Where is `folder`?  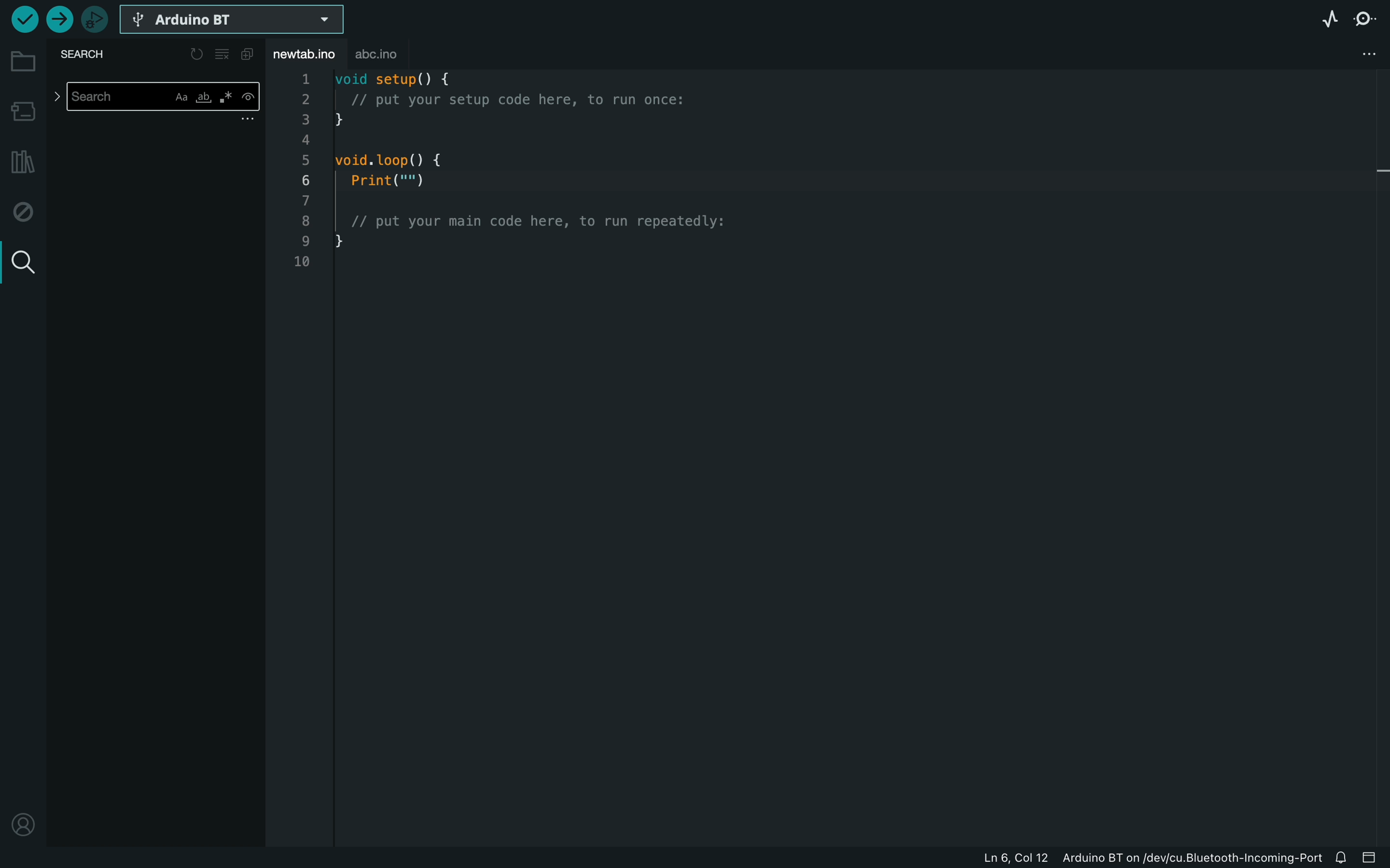 folder is located at coordinates (24, 62).